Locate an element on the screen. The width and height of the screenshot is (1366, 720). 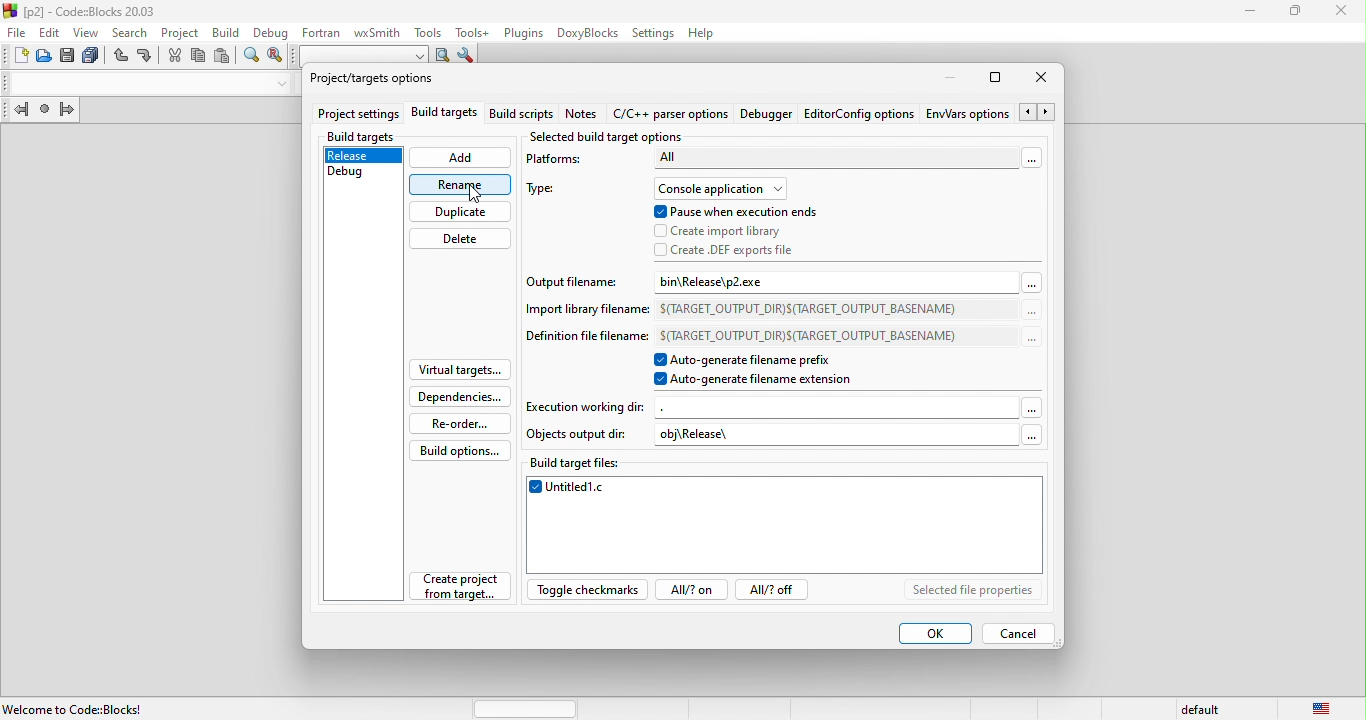
 is located at coordinates (1026, 434).